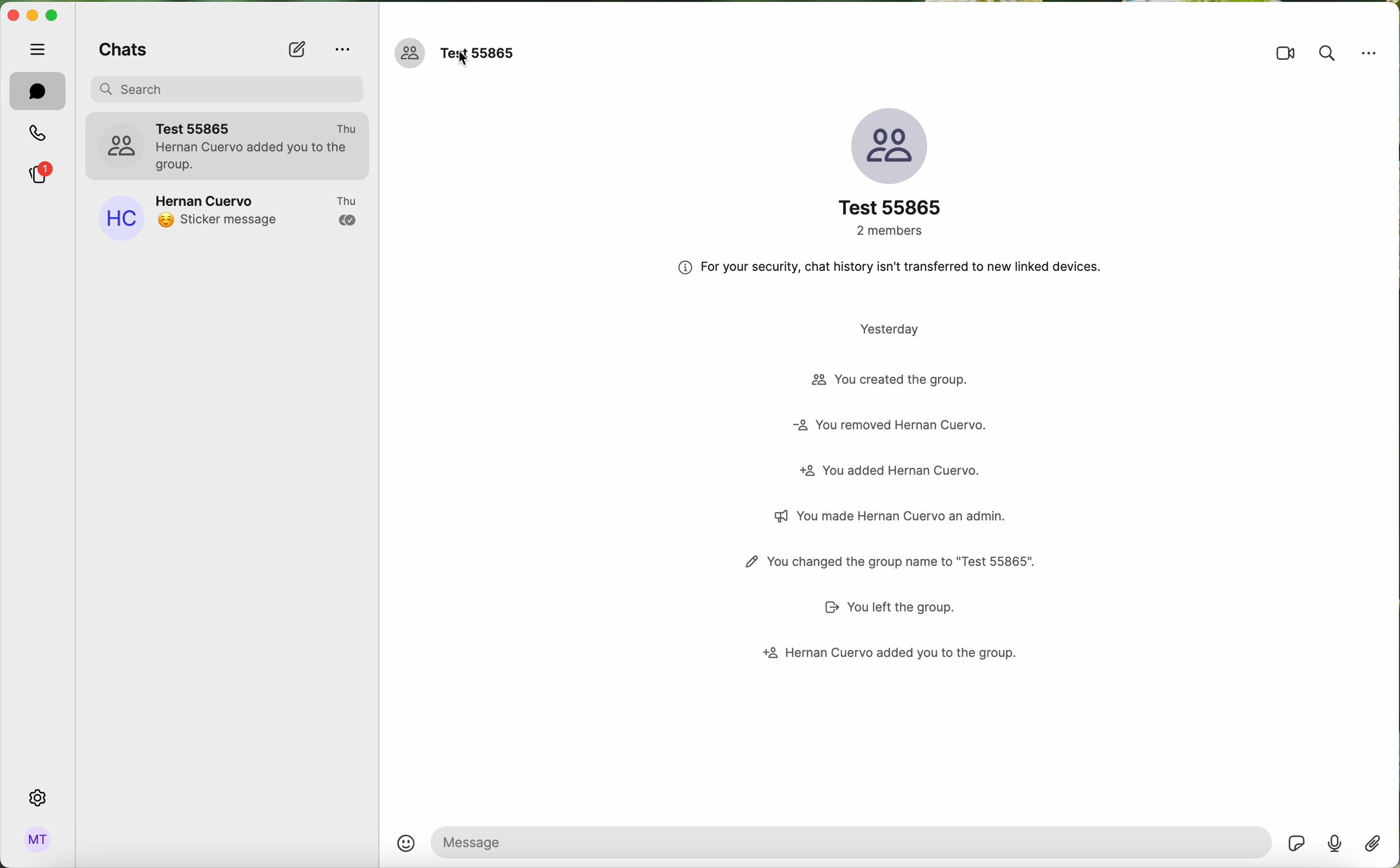 This screenshot has width=1400, height=868. I want to click on name of the group, so click(888, 171).